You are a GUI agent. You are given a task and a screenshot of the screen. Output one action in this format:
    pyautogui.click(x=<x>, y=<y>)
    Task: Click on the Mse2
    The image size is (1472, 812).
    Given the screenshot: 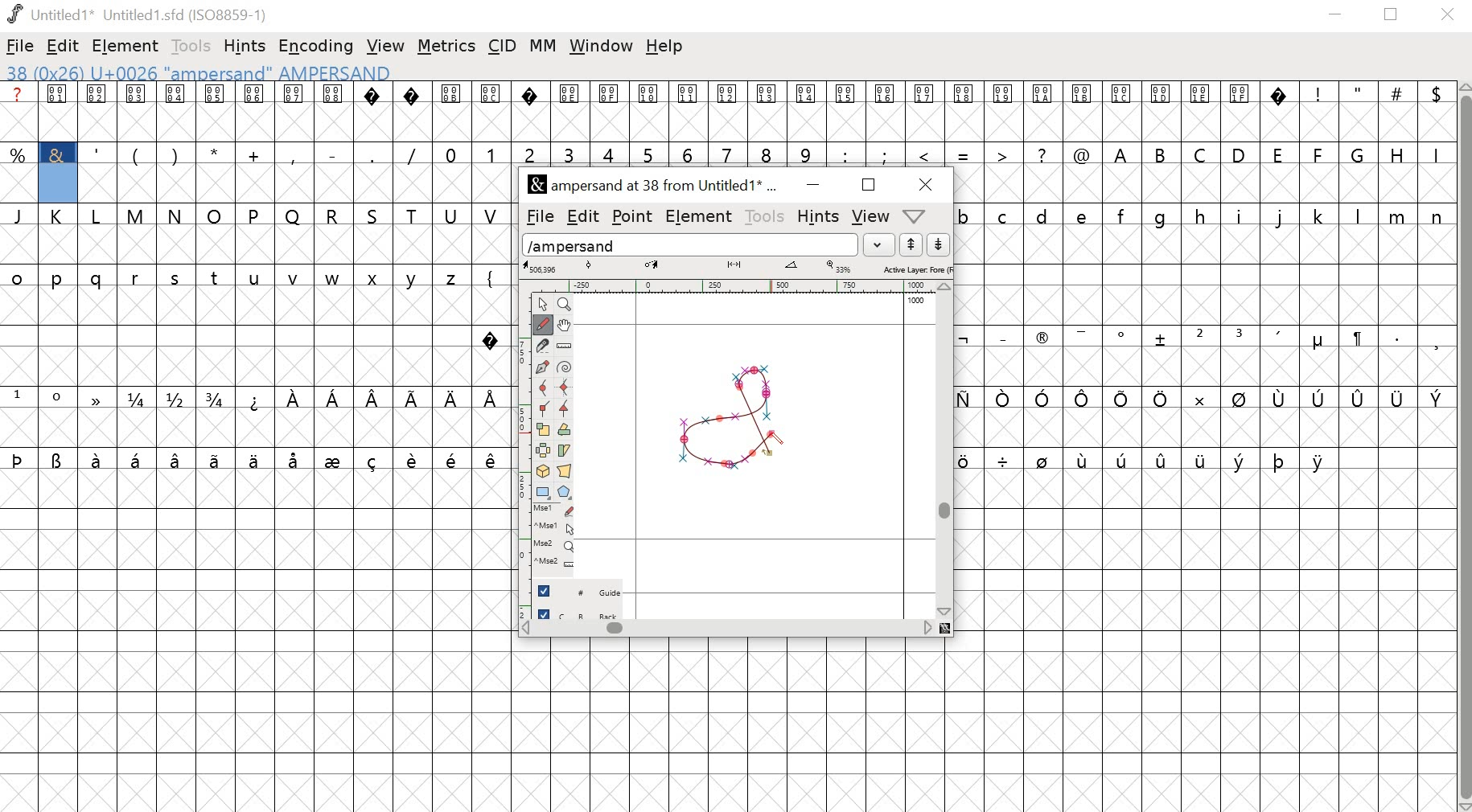 What is the action you would take?
    pyautogui.click(x=556, y=545)
    